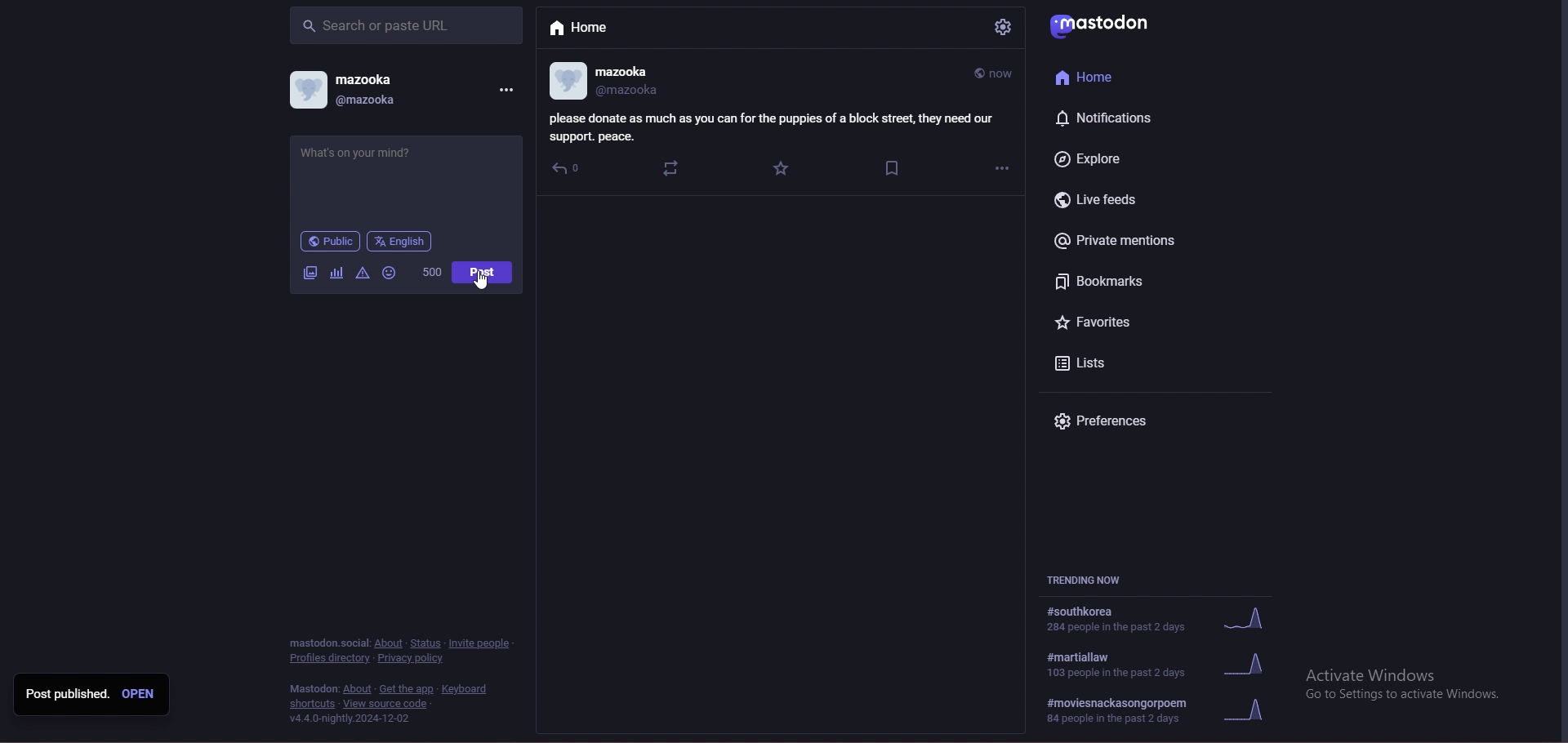 The image size is (1568, 743). What do you see at coordinates (336, 274) in the screenshot?
I see `cafier they fear` at bounding box center [336, 274].